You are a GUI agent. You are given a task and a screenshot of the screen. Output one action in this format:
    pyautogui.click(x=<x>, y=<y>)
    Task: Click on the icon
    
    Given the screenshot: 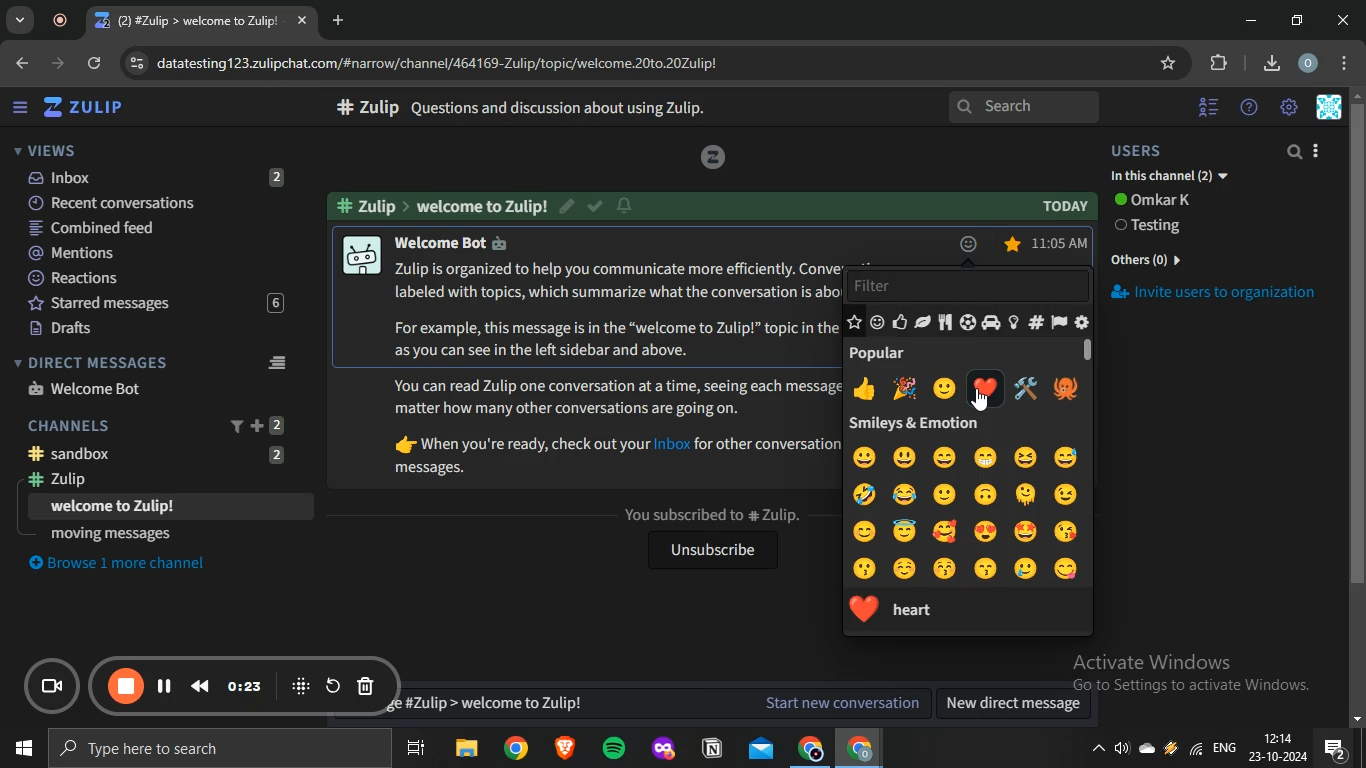 What is the action you would take?
    pyautogui.click(x=55, y=688)
    